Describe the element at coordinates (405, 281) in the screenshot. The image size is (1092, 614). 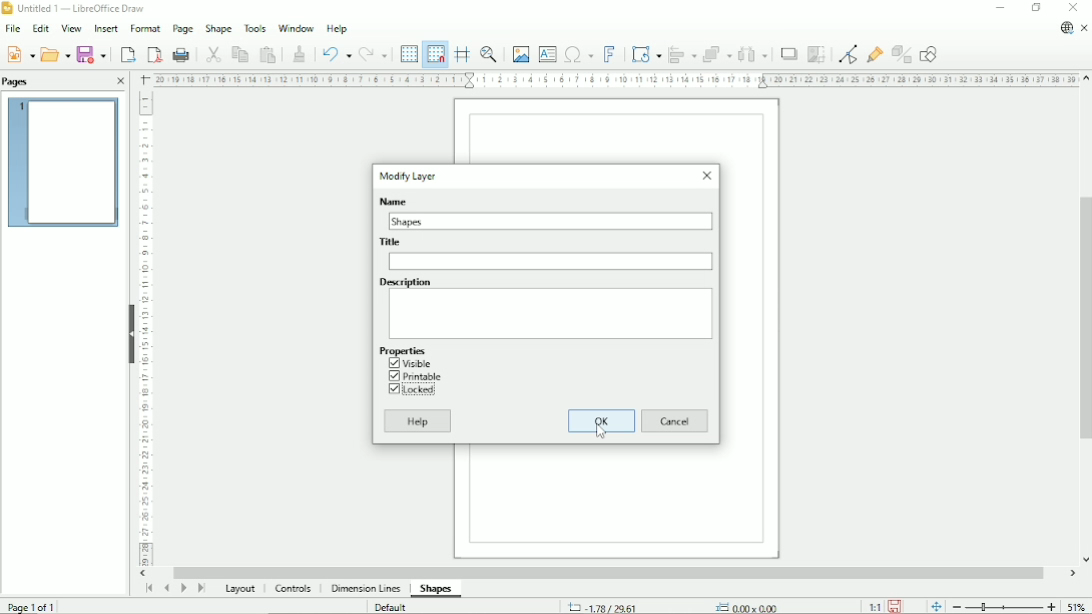
I see `Description` at that location.